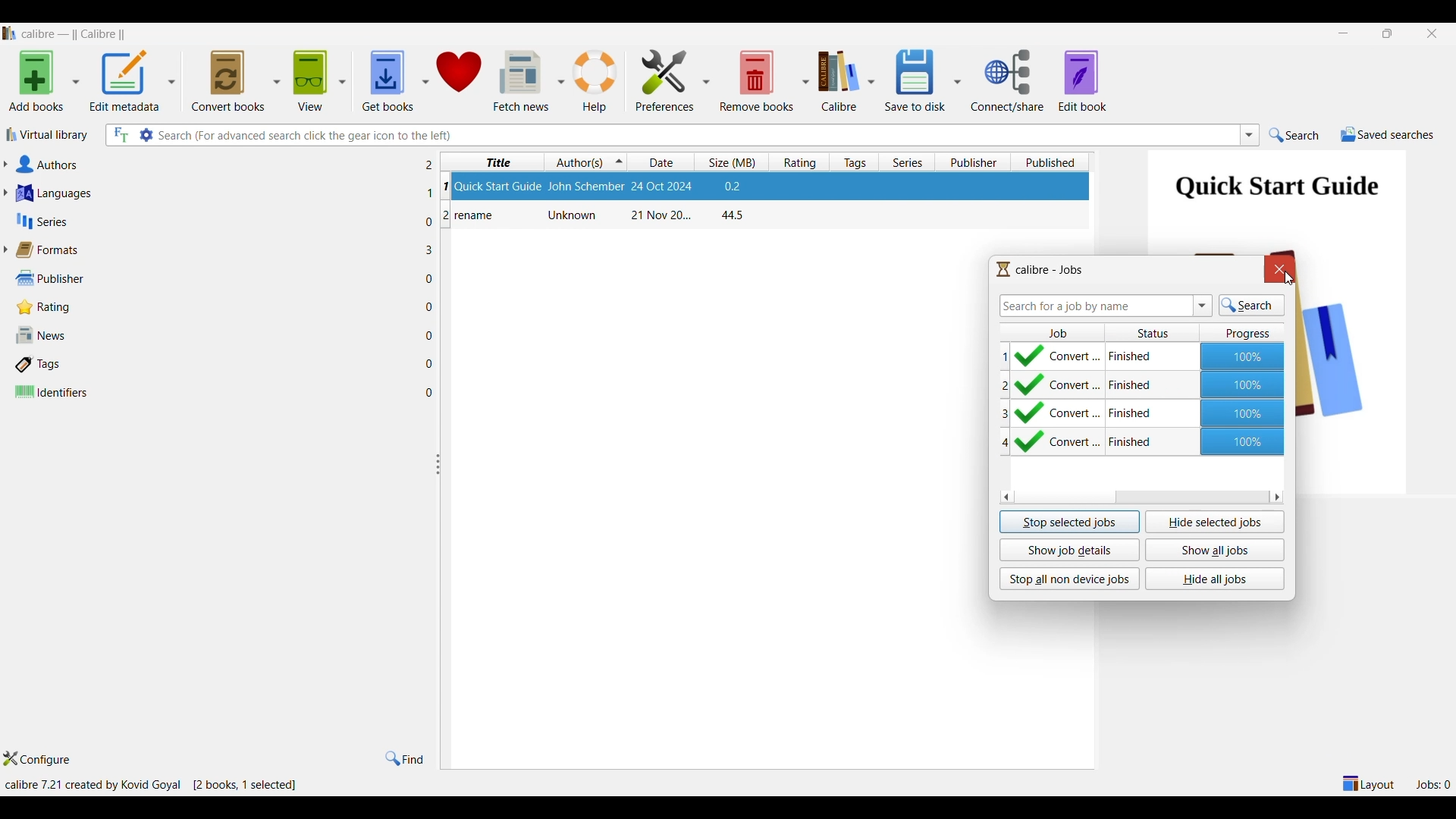 The height and width of the screenshot is (819, 1456). What do you see at coordinates (907, 162) in the screenshot?
I see `Series column` at bounding box center [907, 162].